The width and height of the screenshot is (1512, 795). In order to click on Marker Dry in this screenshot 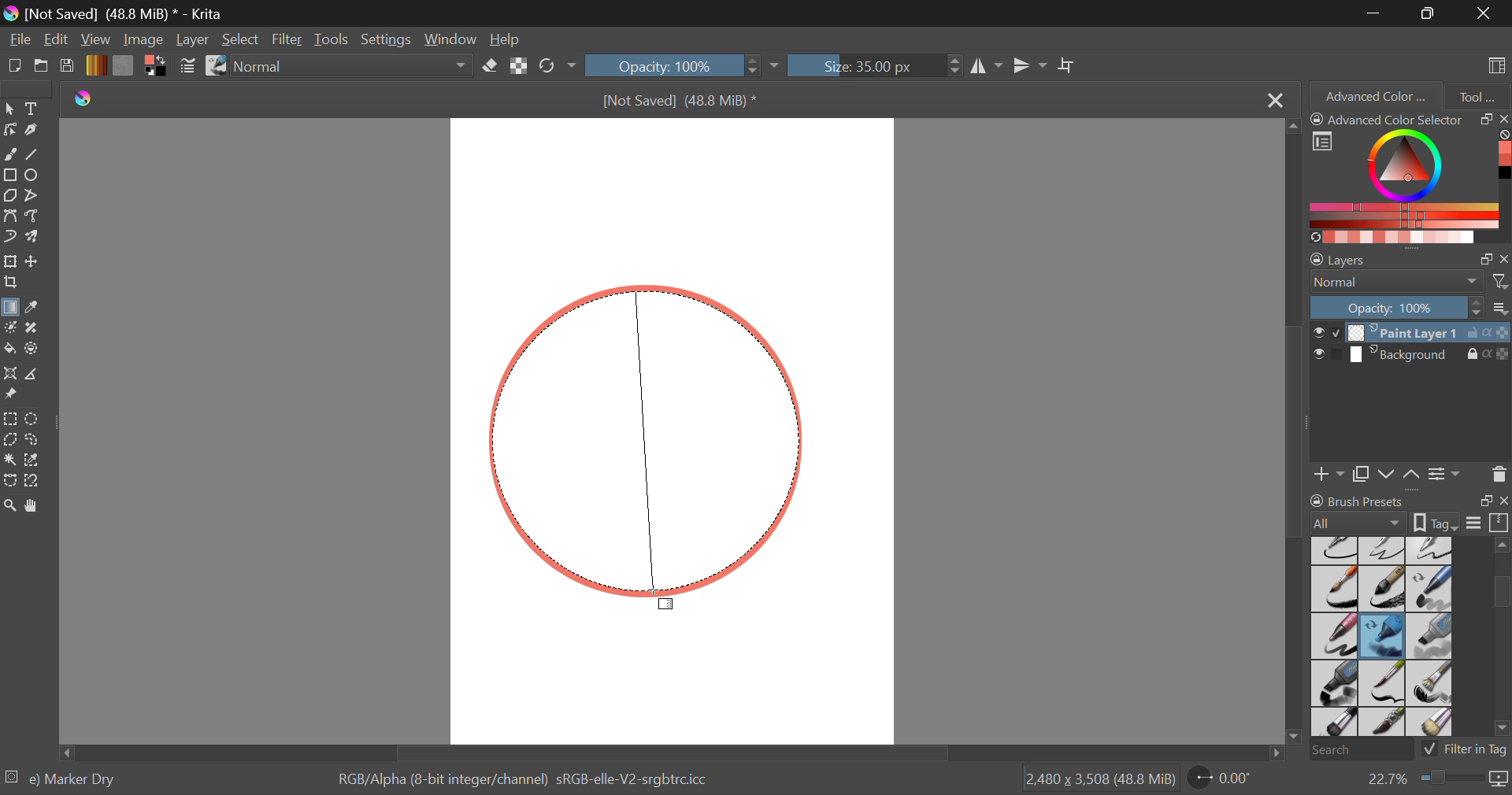, I will do `click(1383, 636)`.